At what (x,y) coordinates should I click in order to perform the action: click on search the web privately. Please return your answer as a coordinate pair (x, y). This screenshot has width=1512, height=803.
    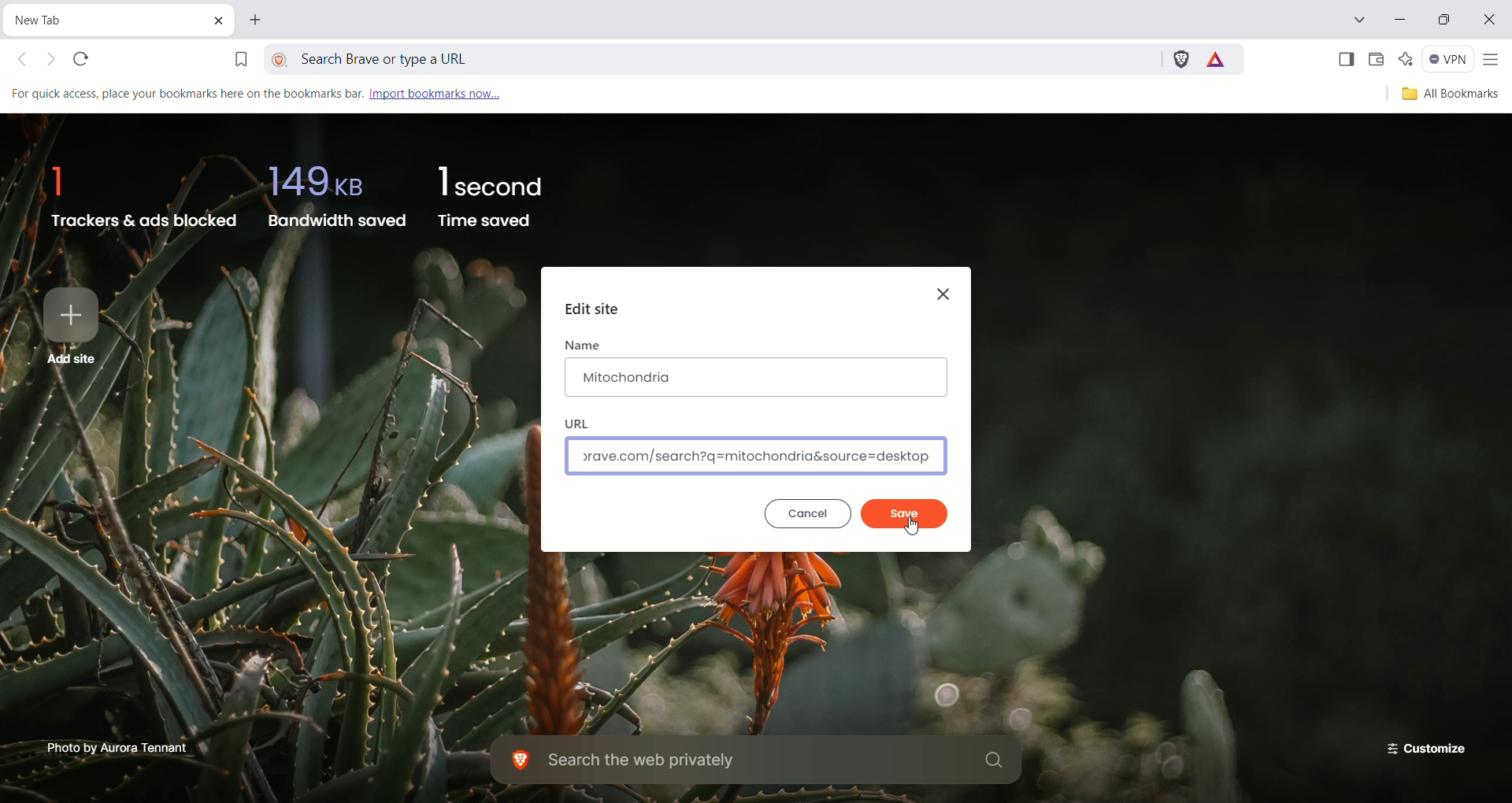
    Looking at the image, I should click on (760, 761).